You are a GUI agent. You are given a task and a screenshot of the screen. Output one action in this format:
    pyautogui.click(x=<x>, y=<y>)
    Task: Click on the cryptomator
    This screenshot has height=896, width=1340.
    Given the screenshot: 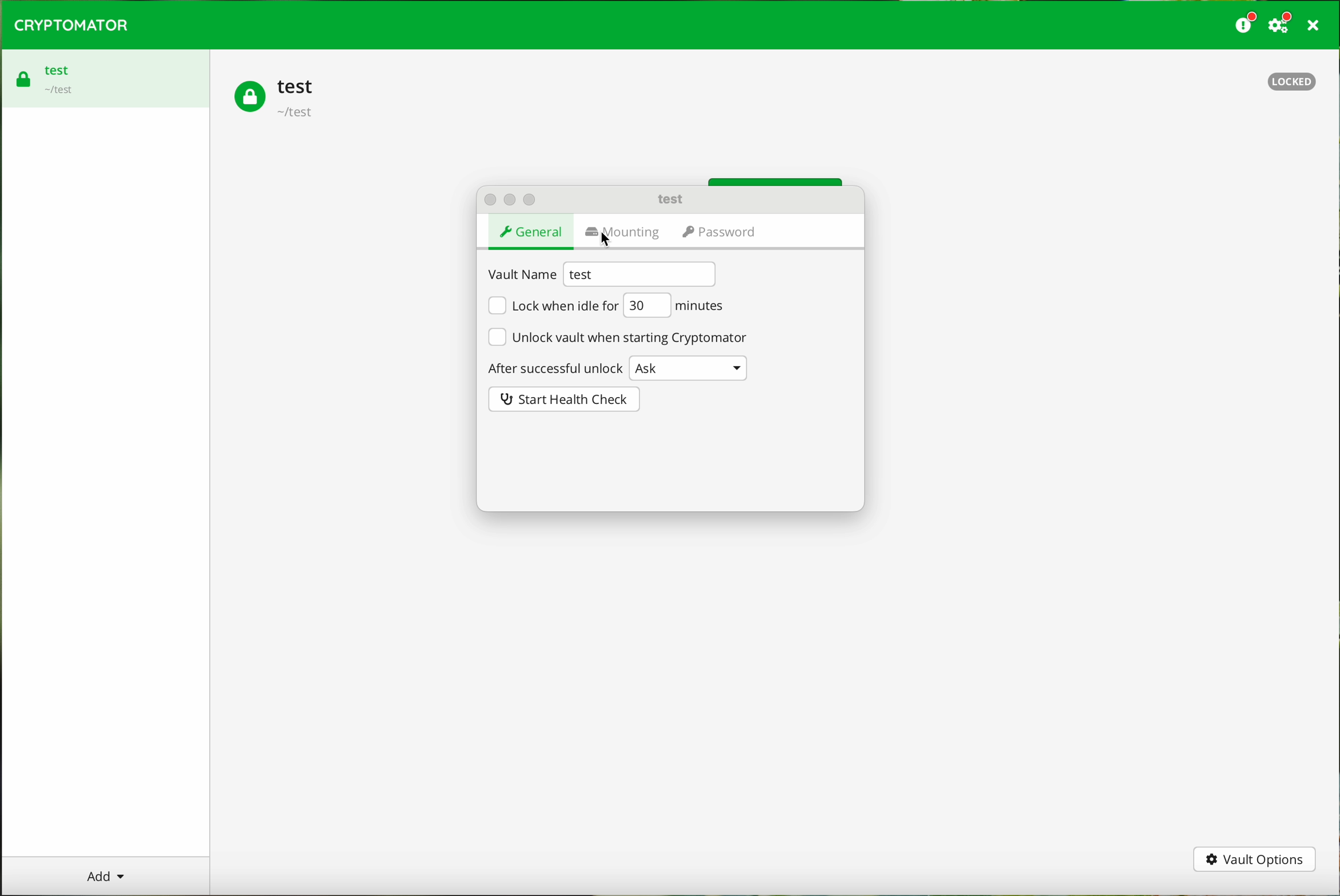 What is the action you would take?
    pyautogui.click(x=72, y=26)
    